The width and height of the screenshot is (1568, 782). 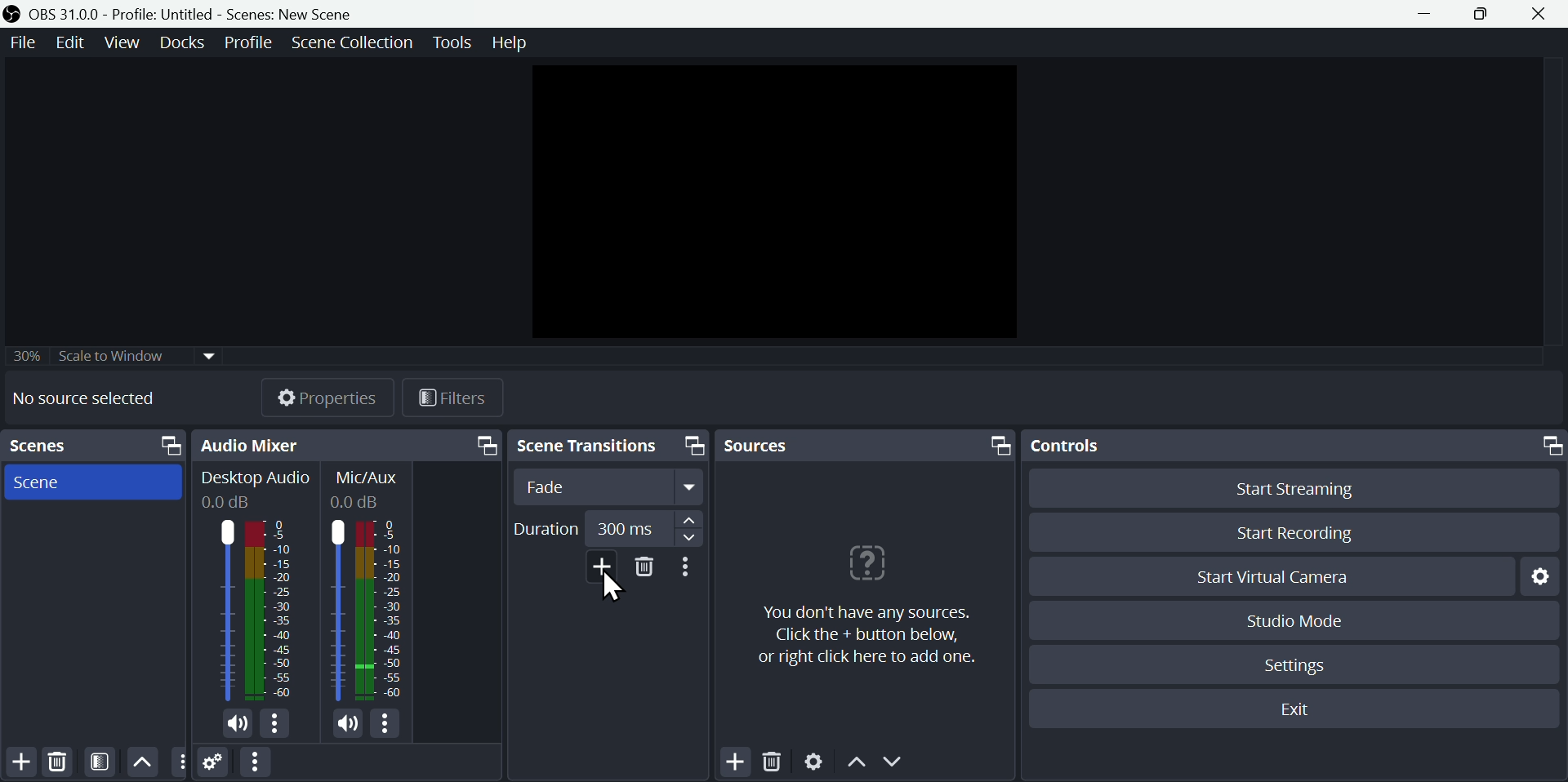 What do you see at coordinates (233, 725) in the screenshot?
I see `volume` at bounding box center [233, 725].